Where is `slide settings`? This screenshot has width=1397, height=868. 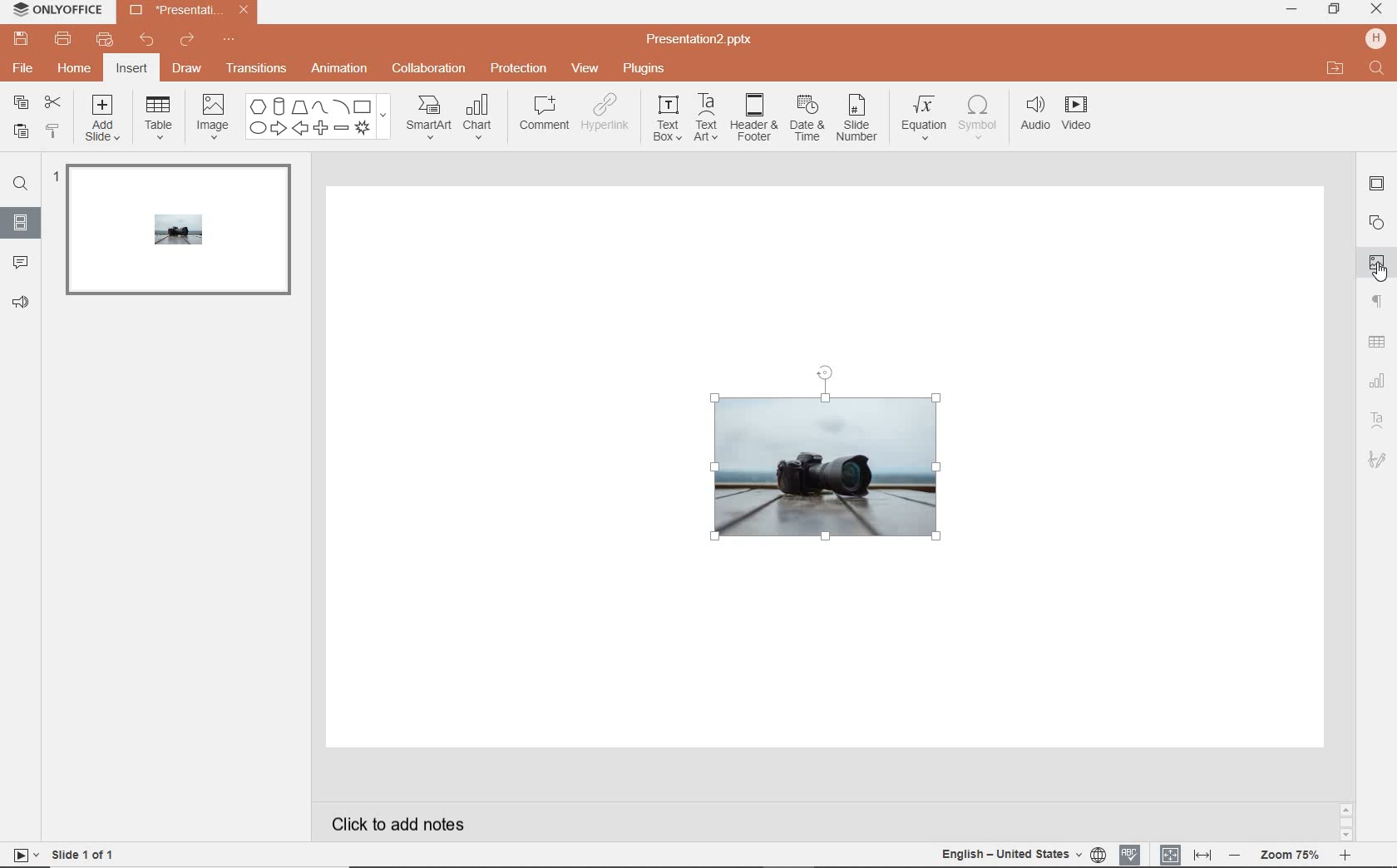
slide settings is located at coordinates (1377, 186).